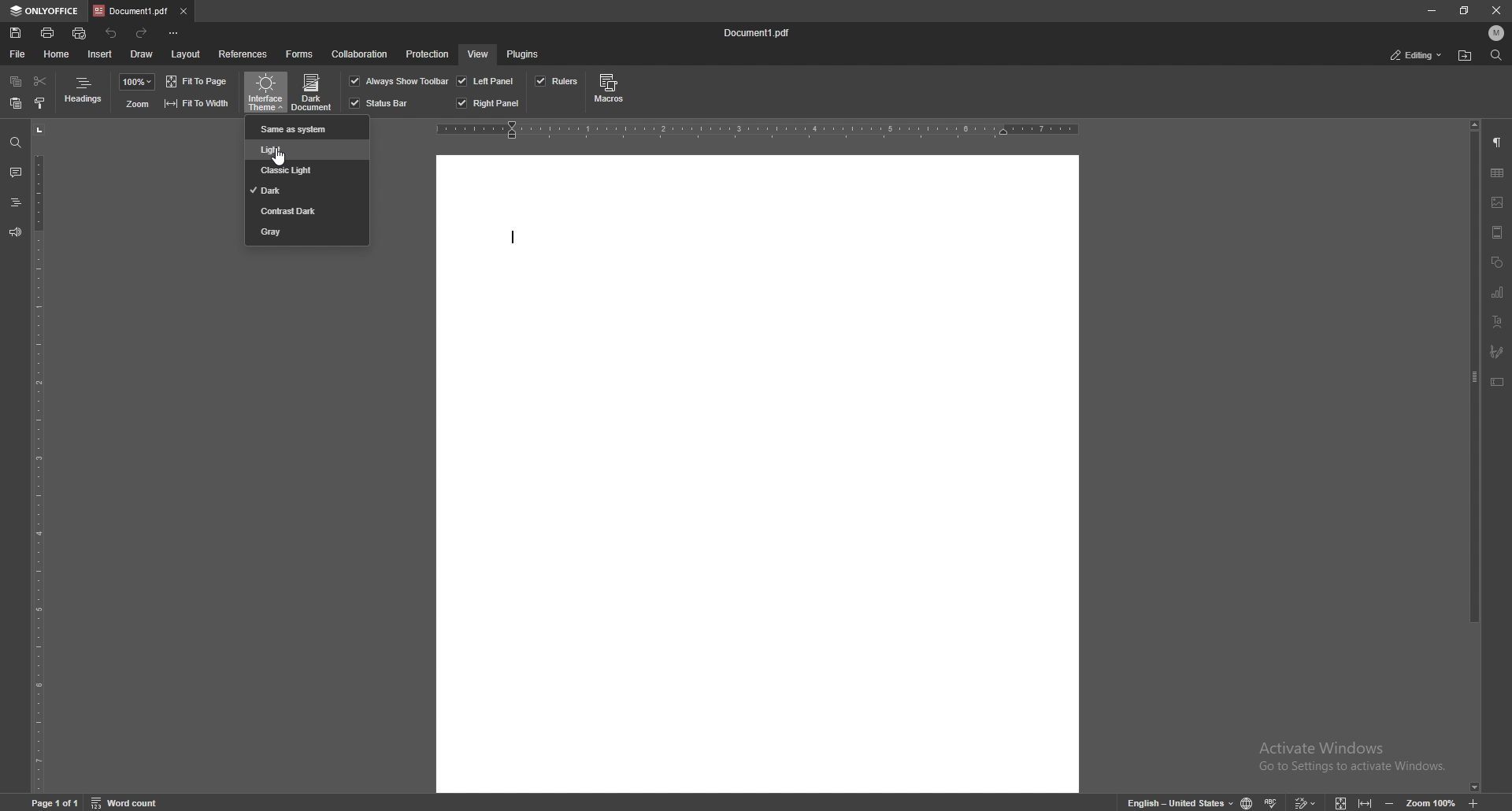 The image size is (1512, 811). I want to click on feedback, so click(15, 233).